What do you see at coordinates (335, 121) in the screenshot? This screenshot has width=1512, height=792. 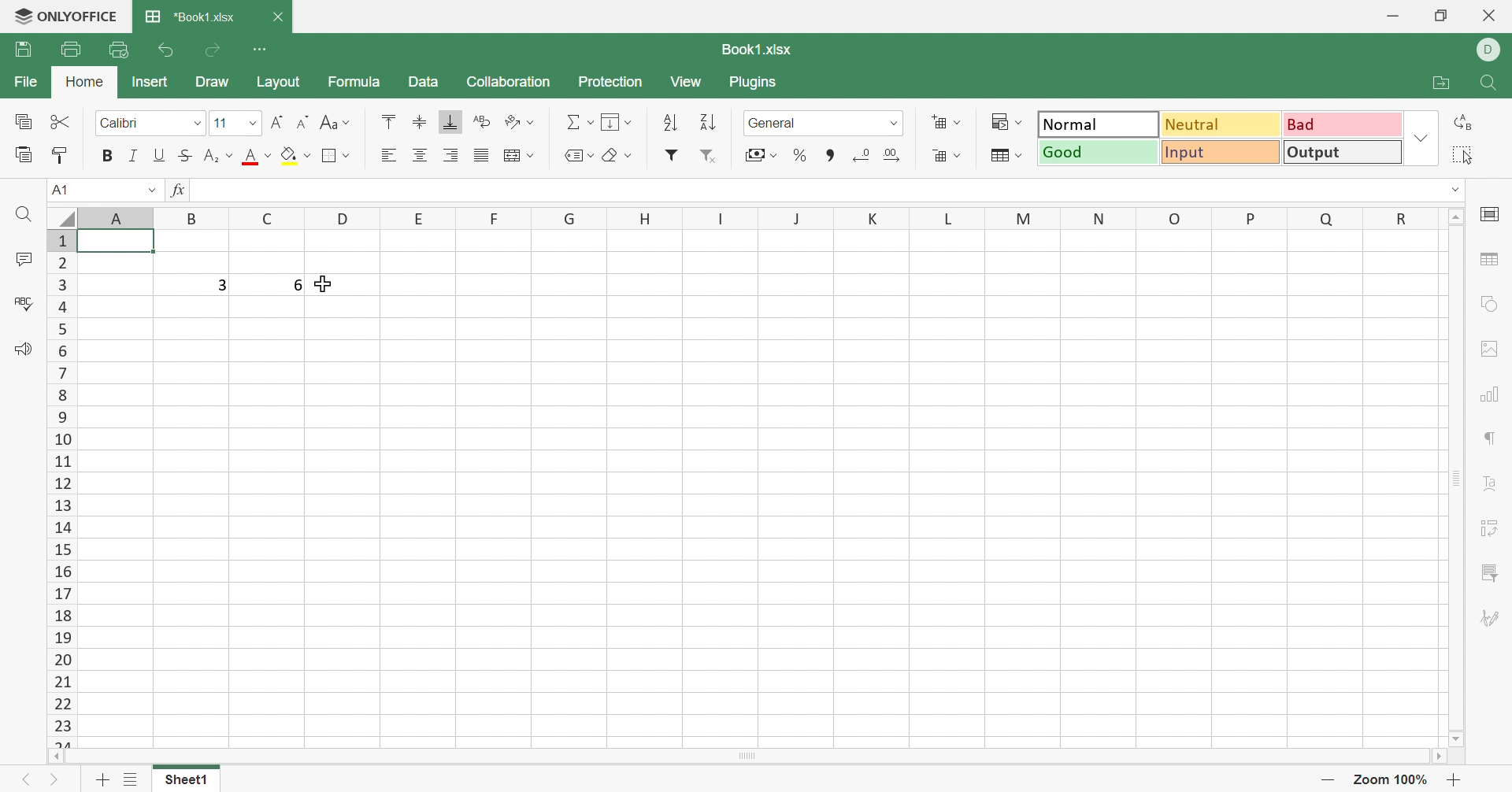 I see `Change case` at bounding box center [335, 121].